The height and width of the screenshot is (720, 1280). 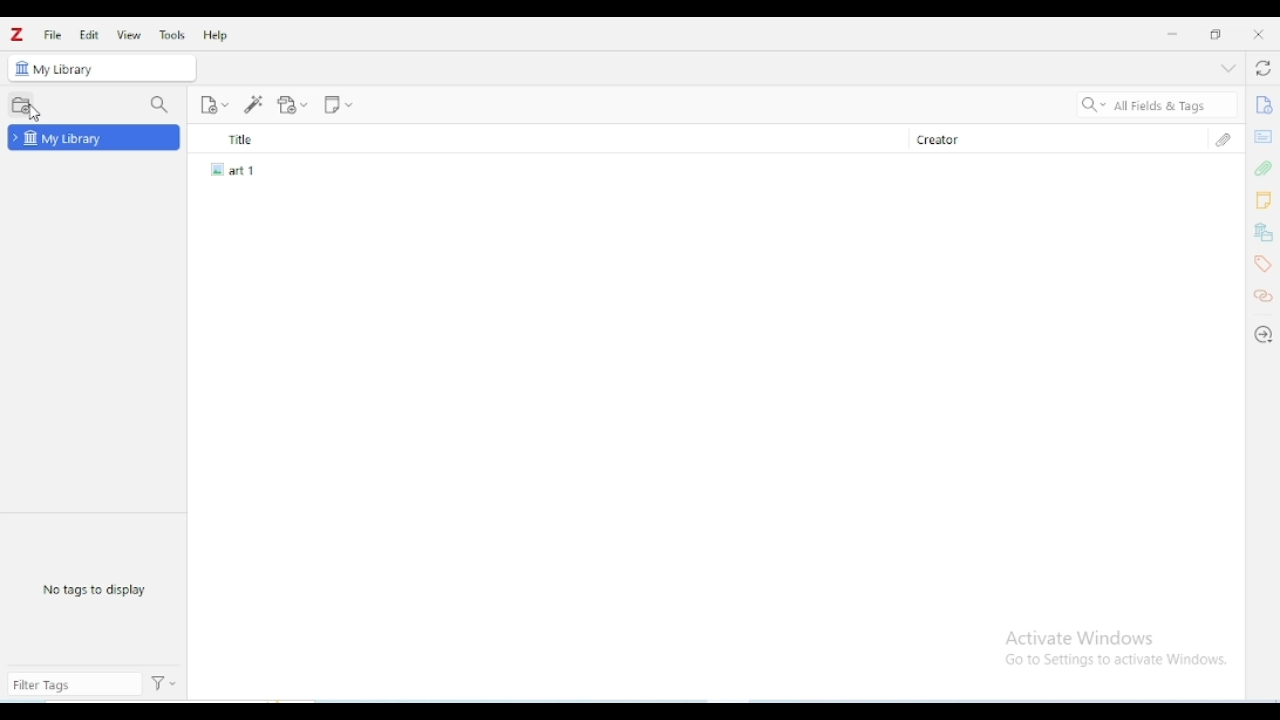 I want to click on tools, so click(x=172, y=35).